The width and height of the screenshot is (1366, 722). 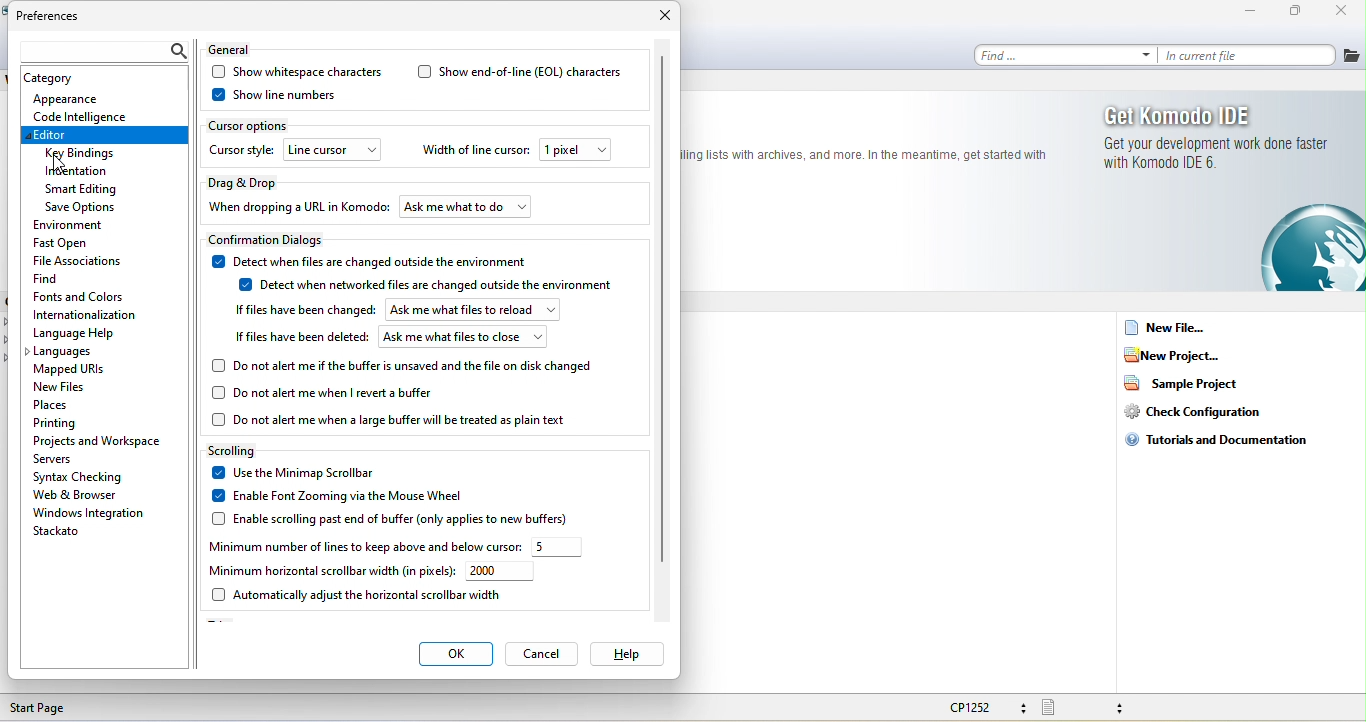 I want to click on do not alert me if the buffer is unsaved and the file on disk changed, so click(x=405, y=365).